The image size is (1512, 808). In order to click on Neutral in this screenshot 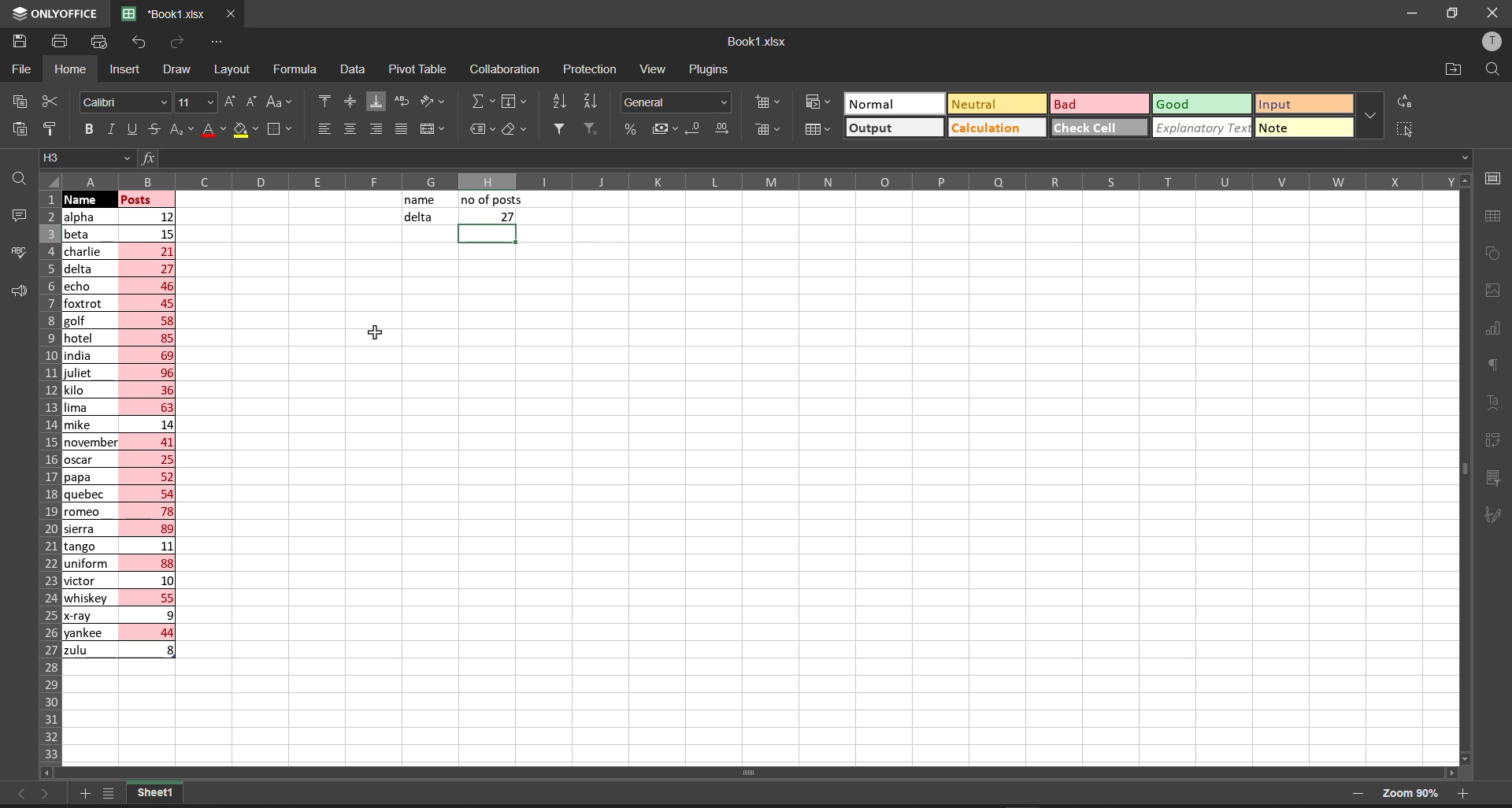, I will do `click(976, 103)`.